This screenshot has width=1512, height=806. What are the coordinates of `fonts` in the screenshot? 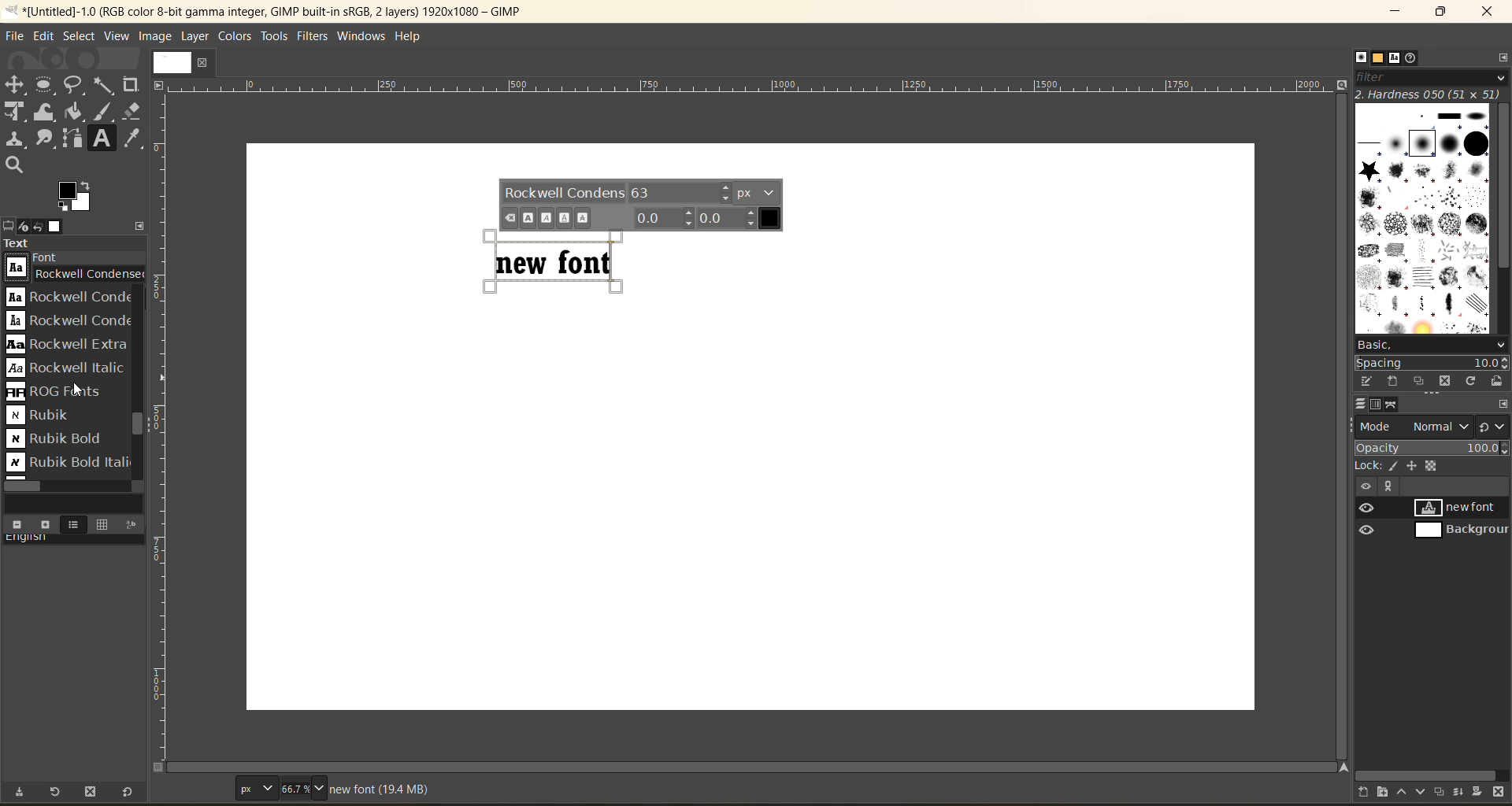 It's located at (1397, 58).